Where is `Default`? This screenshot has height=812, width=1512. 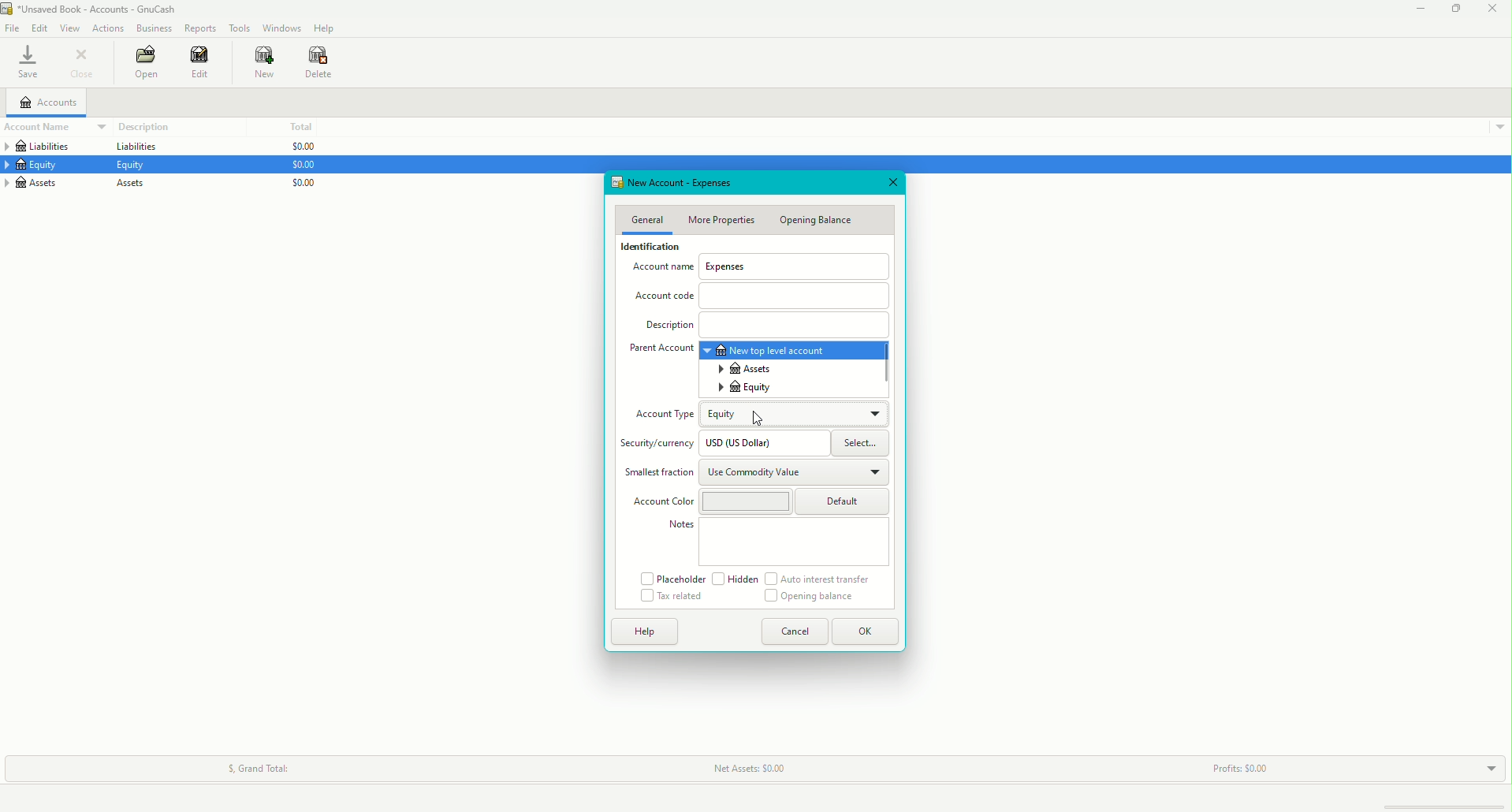 Default is located at coordinates (845, 501).